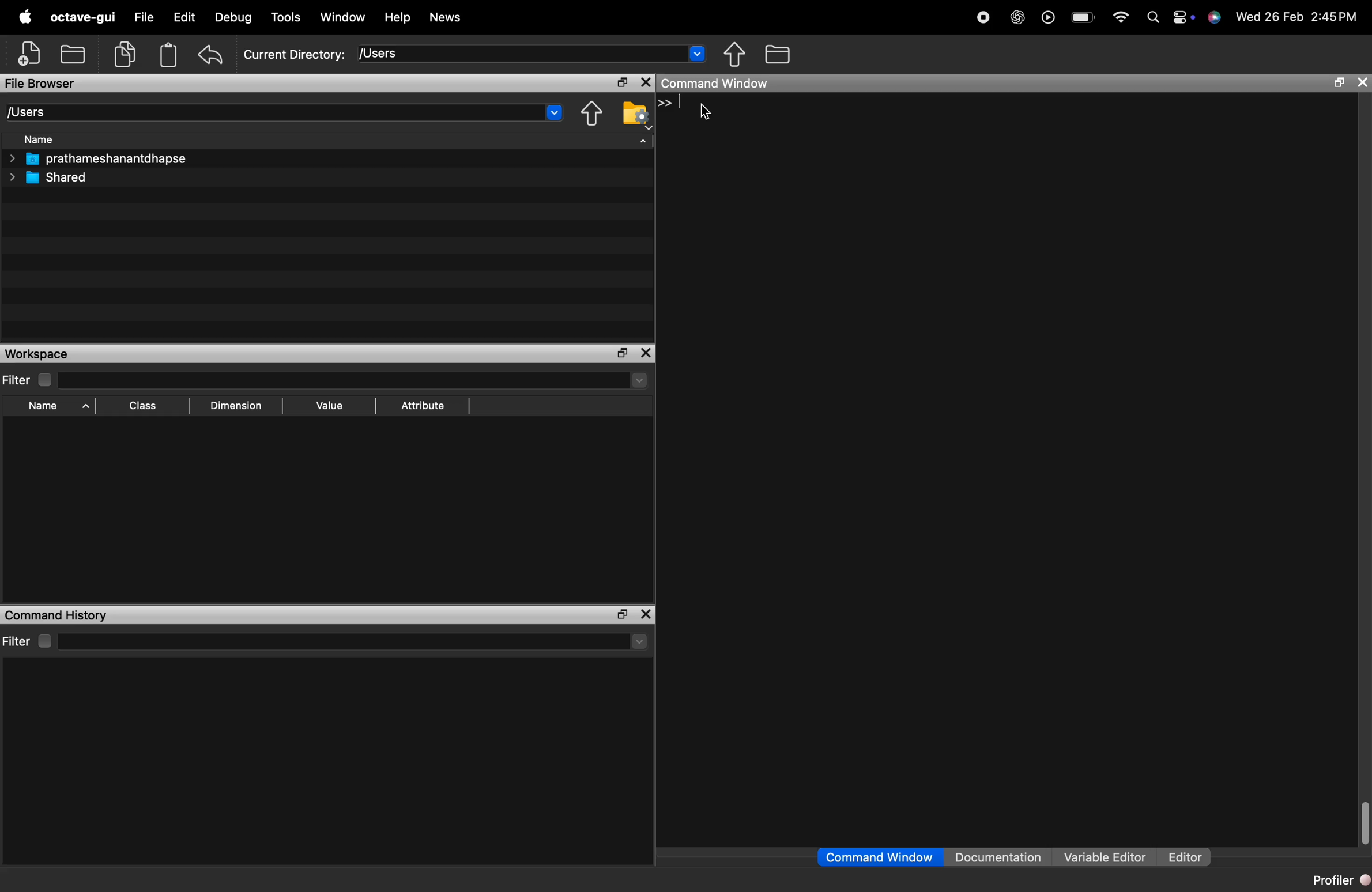 The width and height of the screenshot is (1372, 892). I want to click on maximise, so click(618, 80).